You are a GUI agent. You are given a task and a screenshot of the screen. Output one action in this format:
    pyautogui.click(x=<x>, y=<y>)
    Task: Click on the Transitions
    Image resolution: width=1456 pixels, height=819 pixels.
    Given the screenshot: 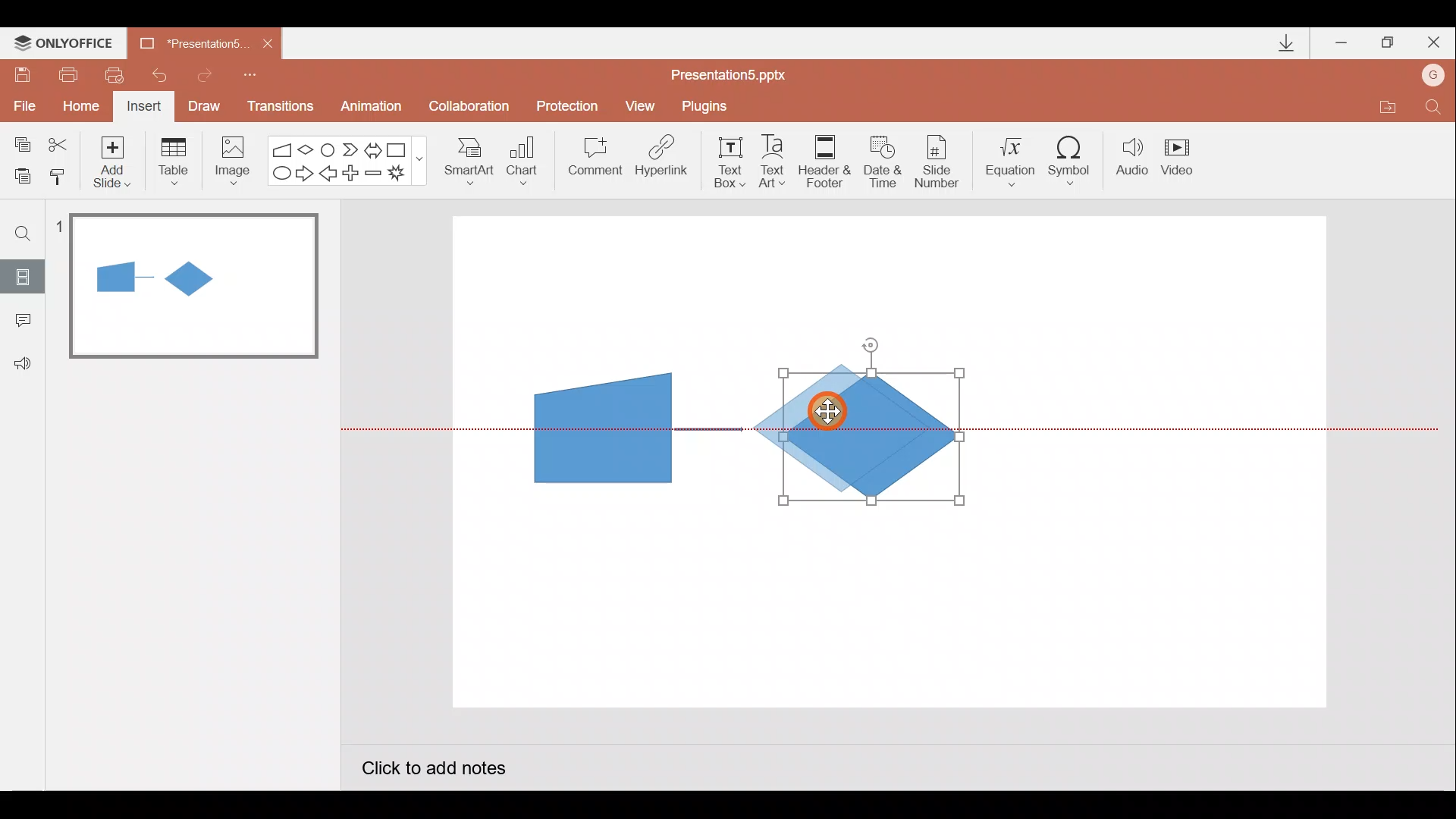 What is the action you would take?
    pyautogui.click(x=278, y=108)
    